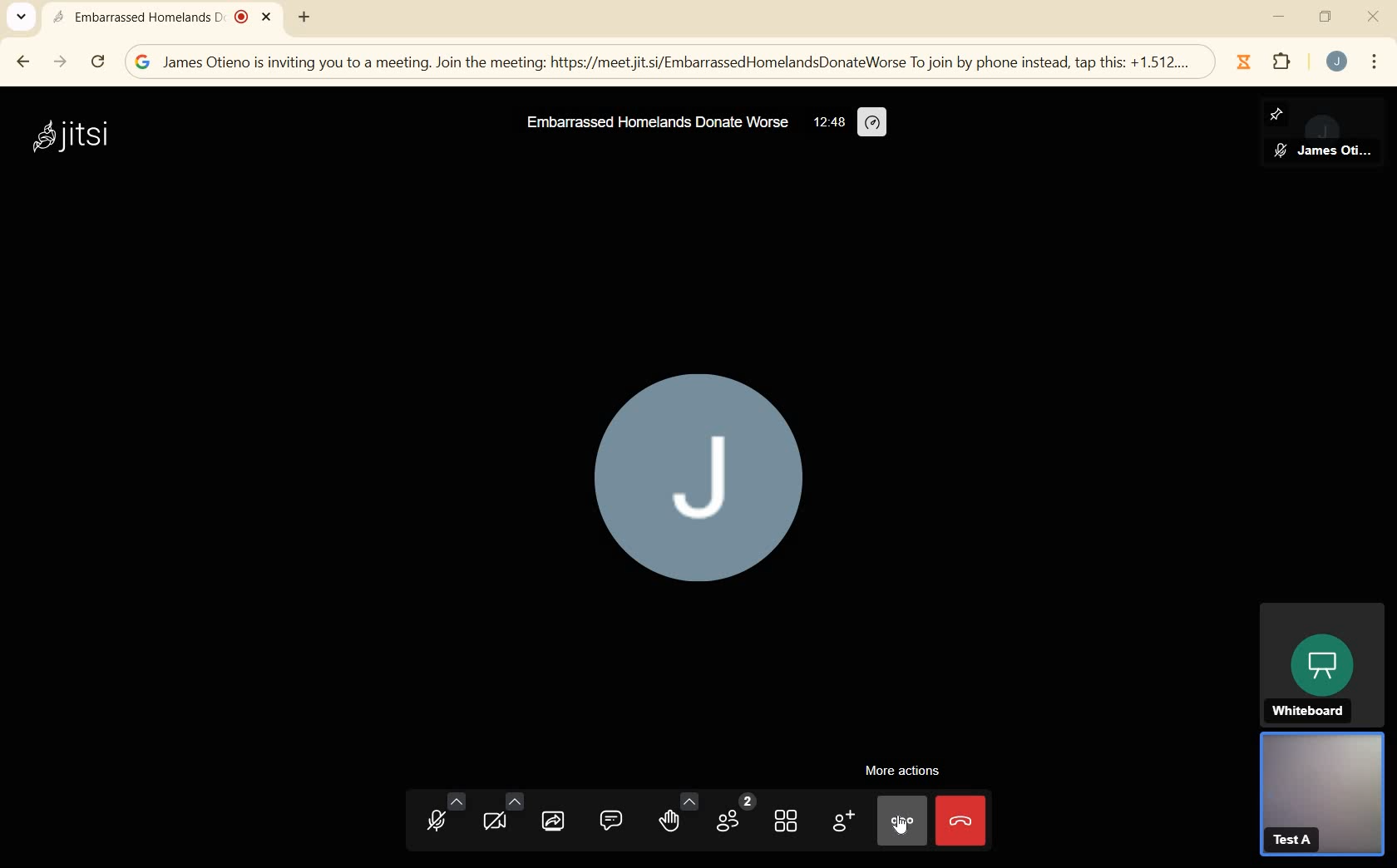 This screenshot has width=1397, height=868. What do you see at coordinates (1283, 65) in the screenshot?
I see `extensions` at bounding box center [1283, 65].